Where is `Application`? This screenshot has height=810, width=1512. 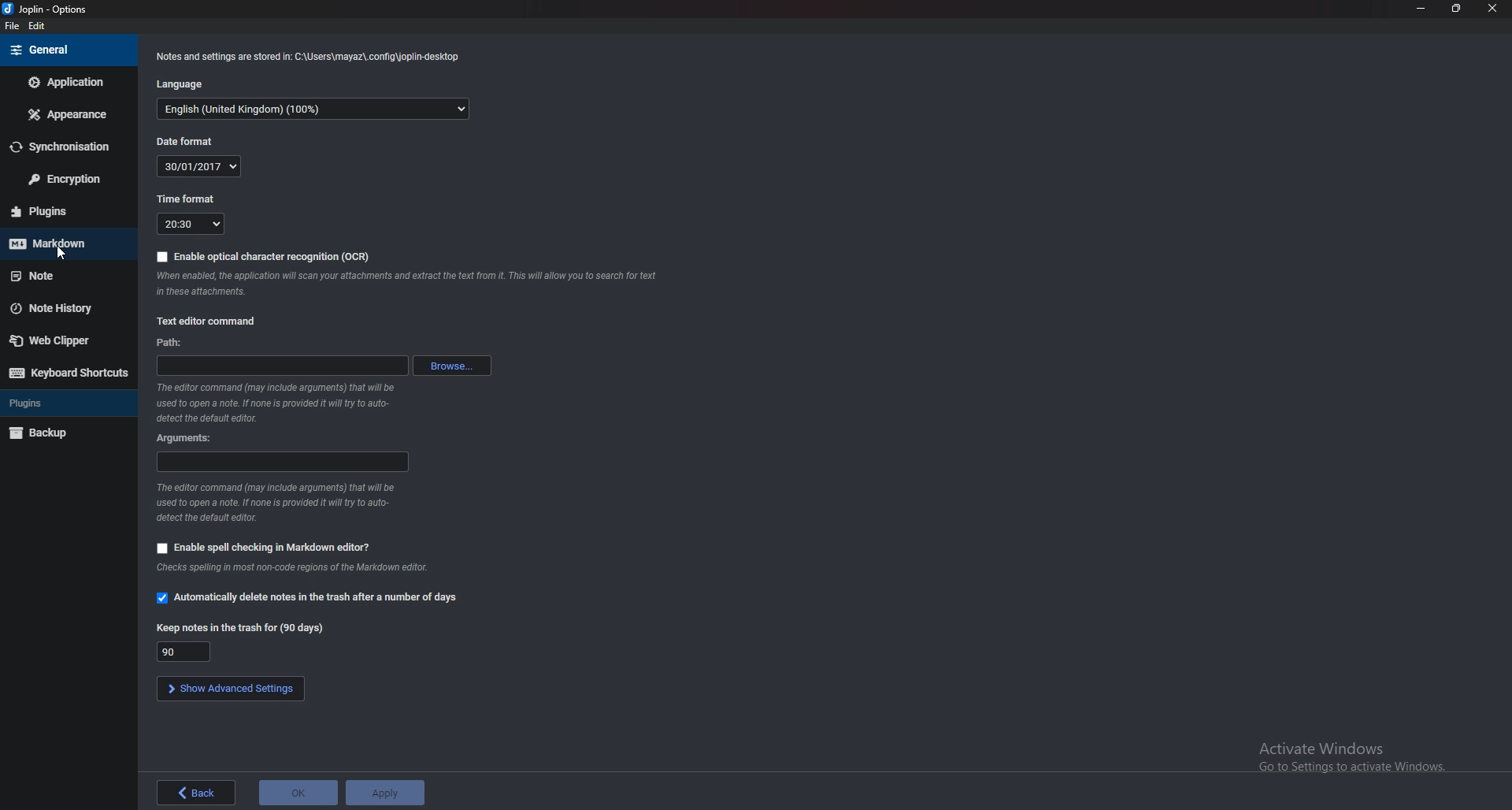
Application is located at coordinates (65, 83).